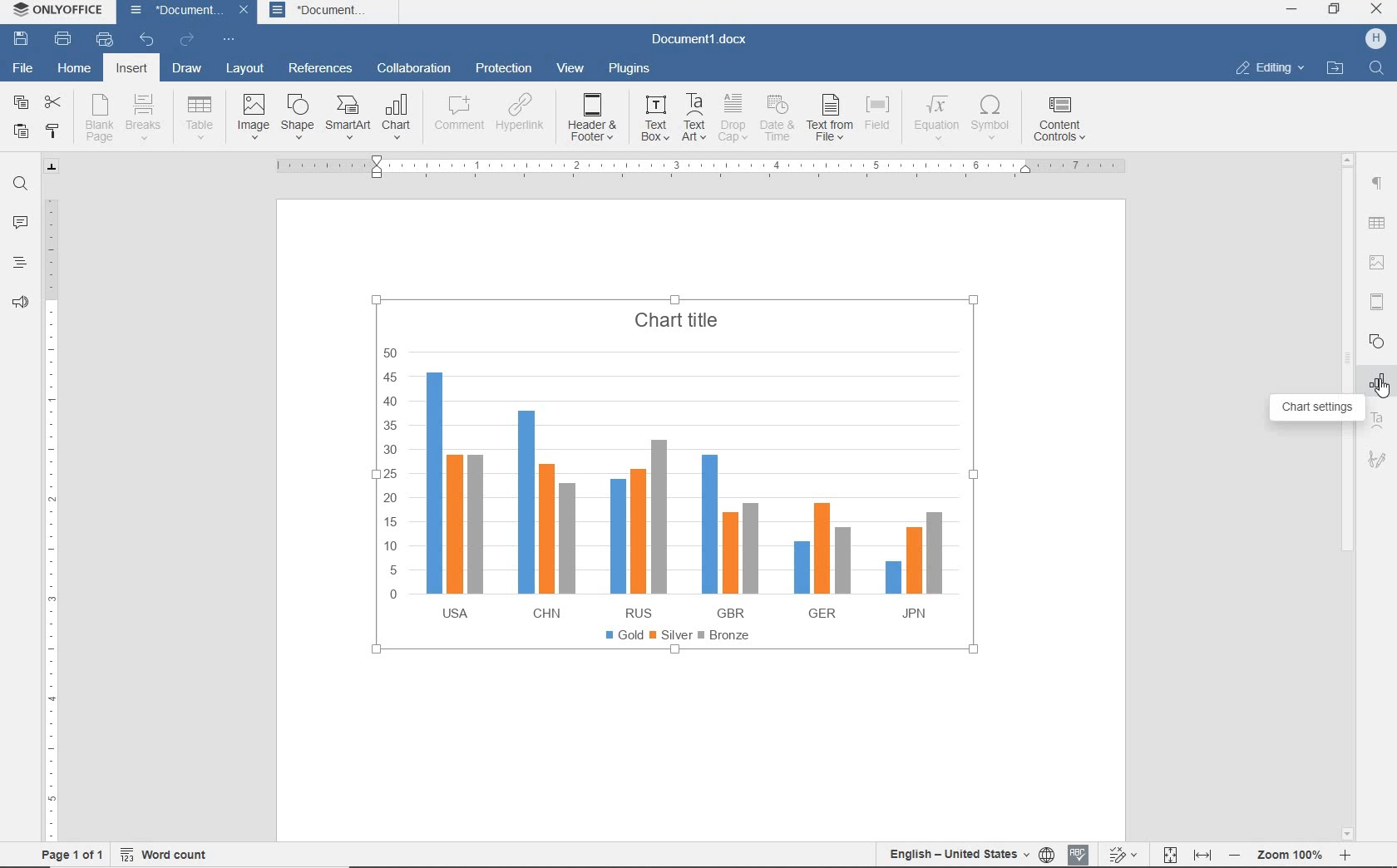 The image size is (1397, 868). Describe the element at coordinates (879, 118) in the screenshot. I see `field` at that location.